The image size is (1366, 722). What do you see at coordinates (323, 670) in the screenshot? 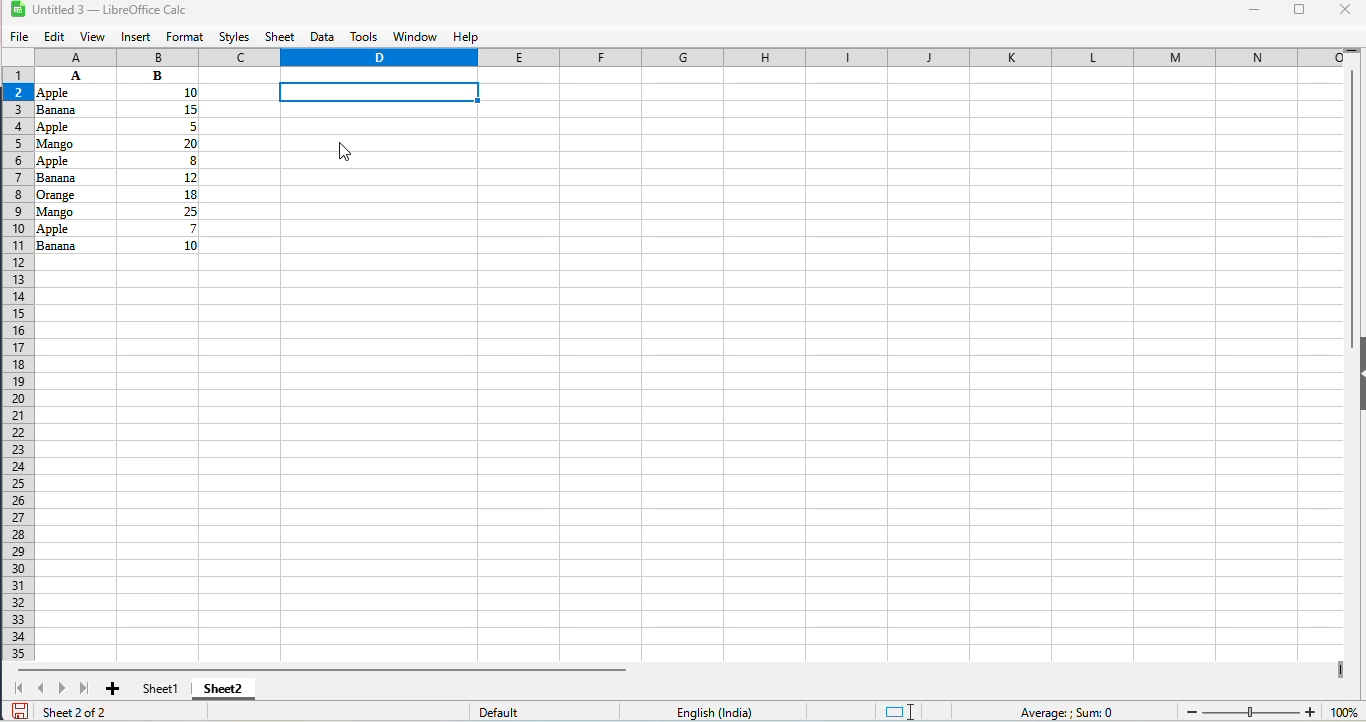
I see `horizontal scroll bar` at bounding box center [323, 670].